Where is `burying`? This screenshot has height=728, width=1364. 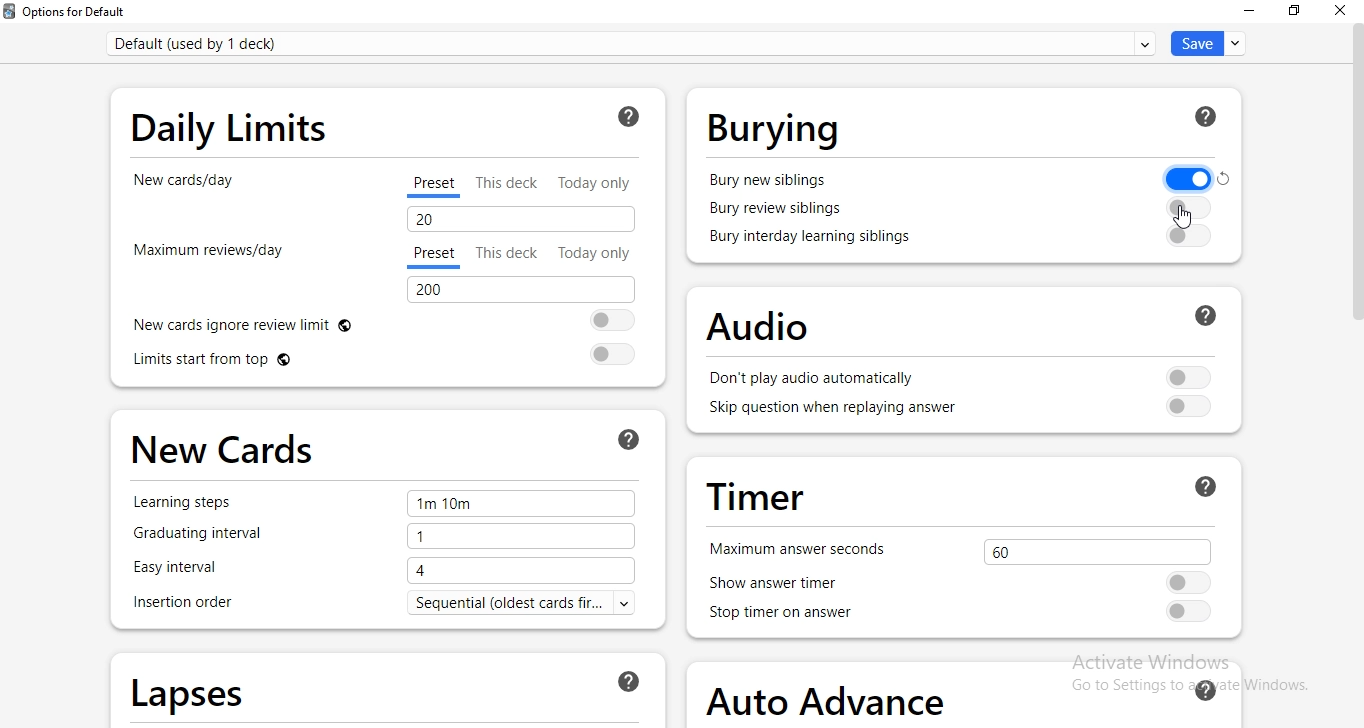
burying is located at coordinates (776, 128).